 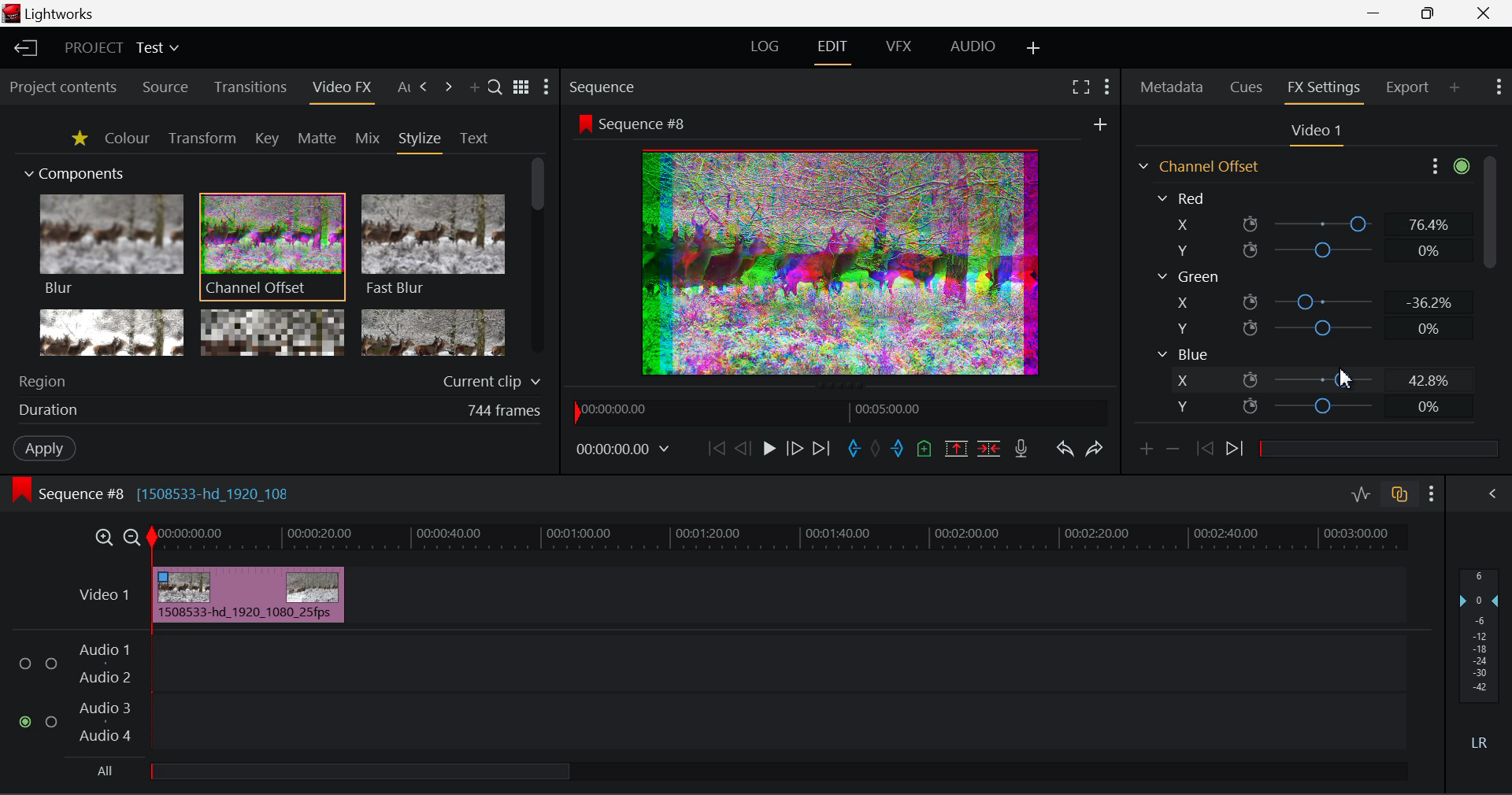 I want to click on Text, so click(x=473, y=139).